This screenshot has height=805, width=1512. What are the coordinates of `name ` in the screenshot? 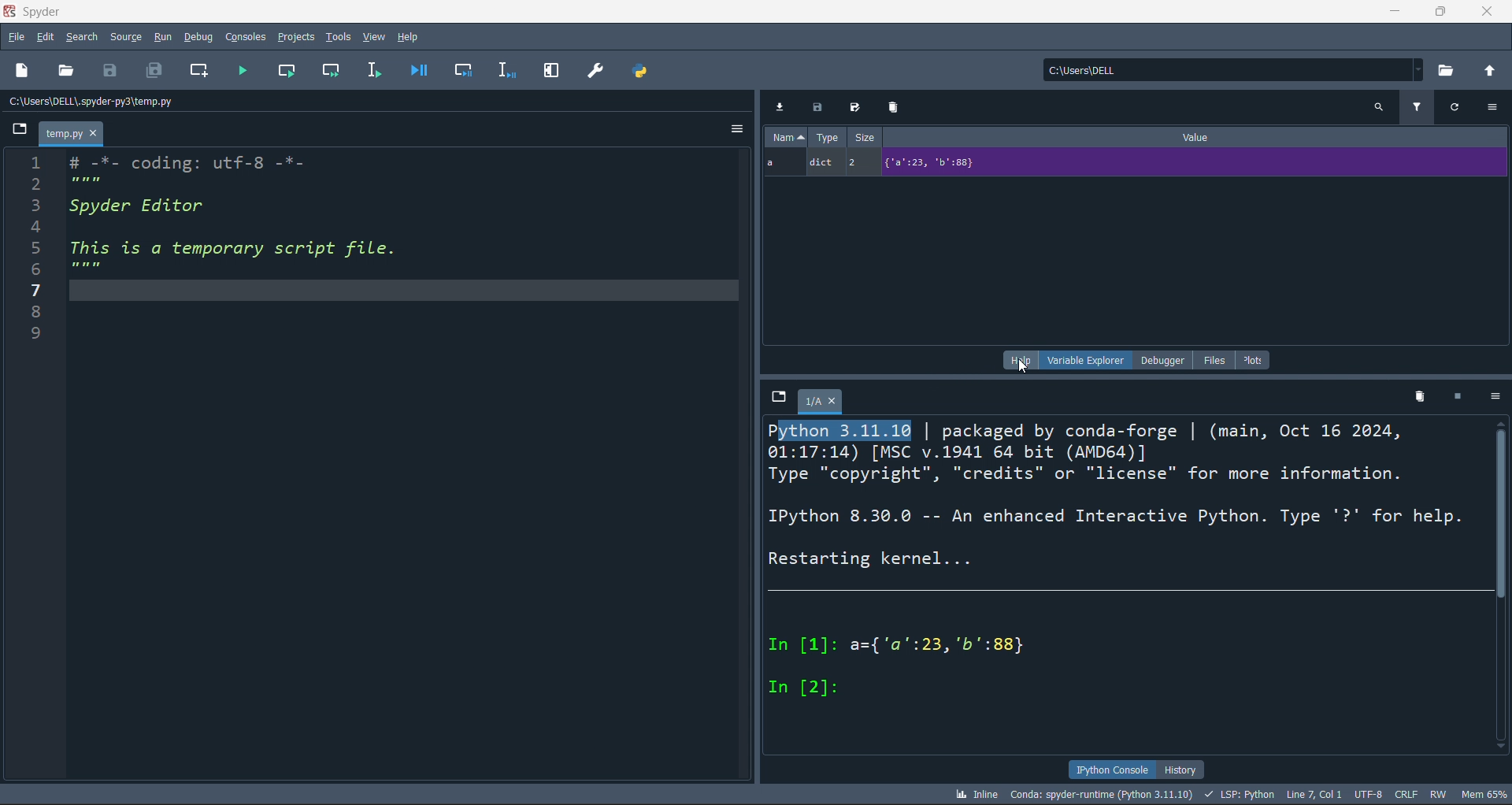 It's located at (785, 137).